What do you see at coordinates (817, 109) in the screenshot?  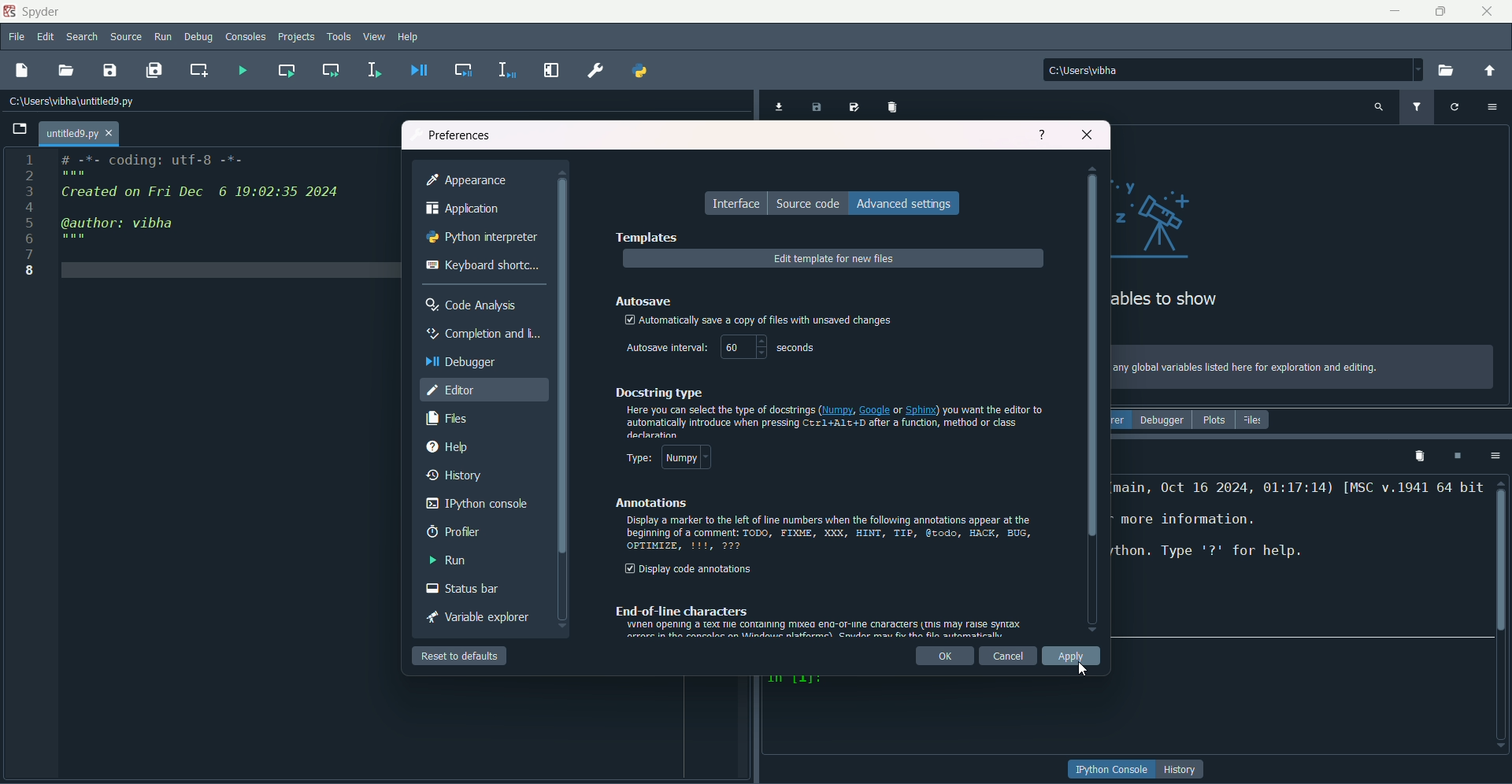 I see `save data` at bounding box center [817, 109].